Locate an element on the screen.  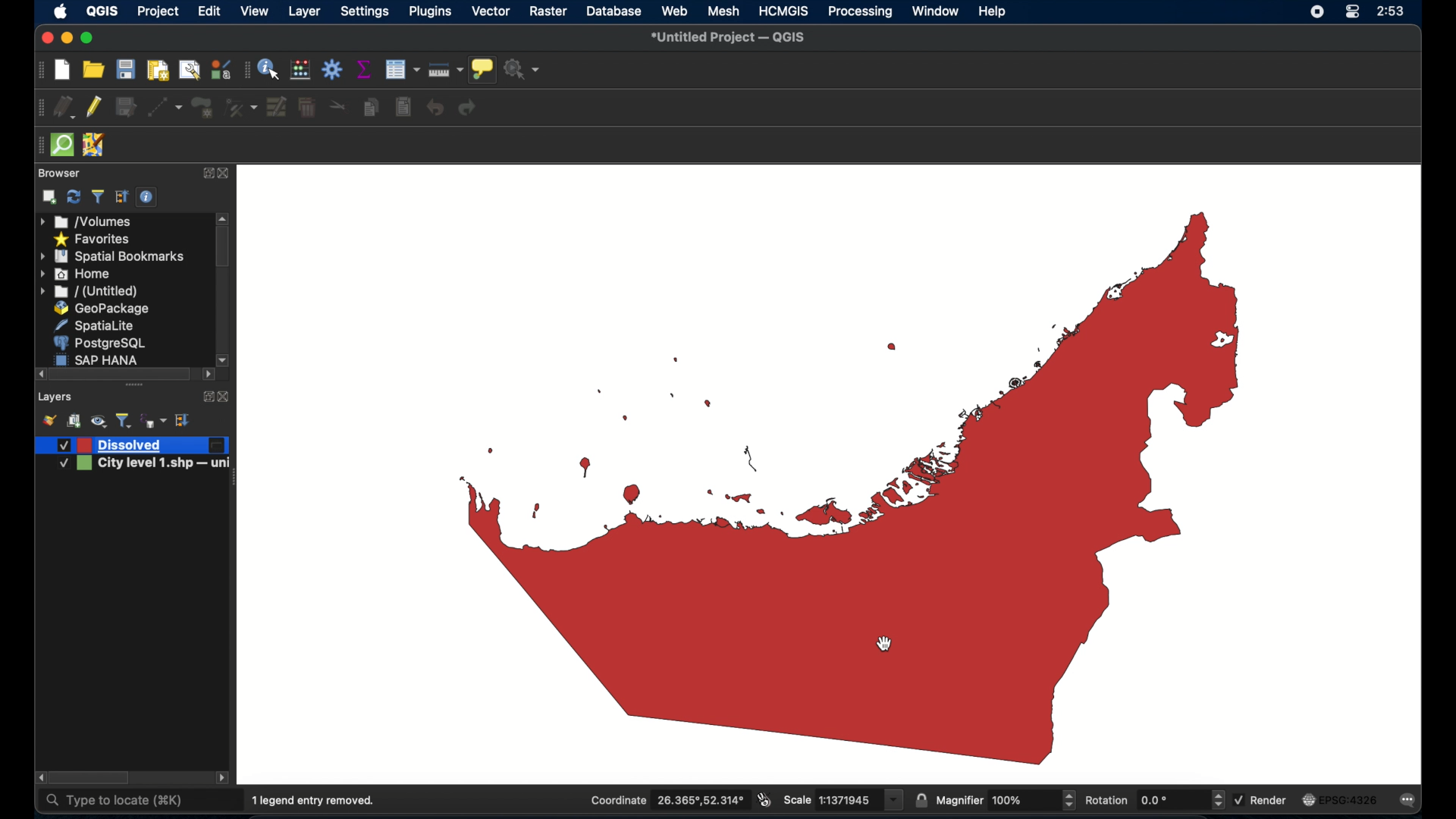
project toolbar is located at coordinates (39, 71).